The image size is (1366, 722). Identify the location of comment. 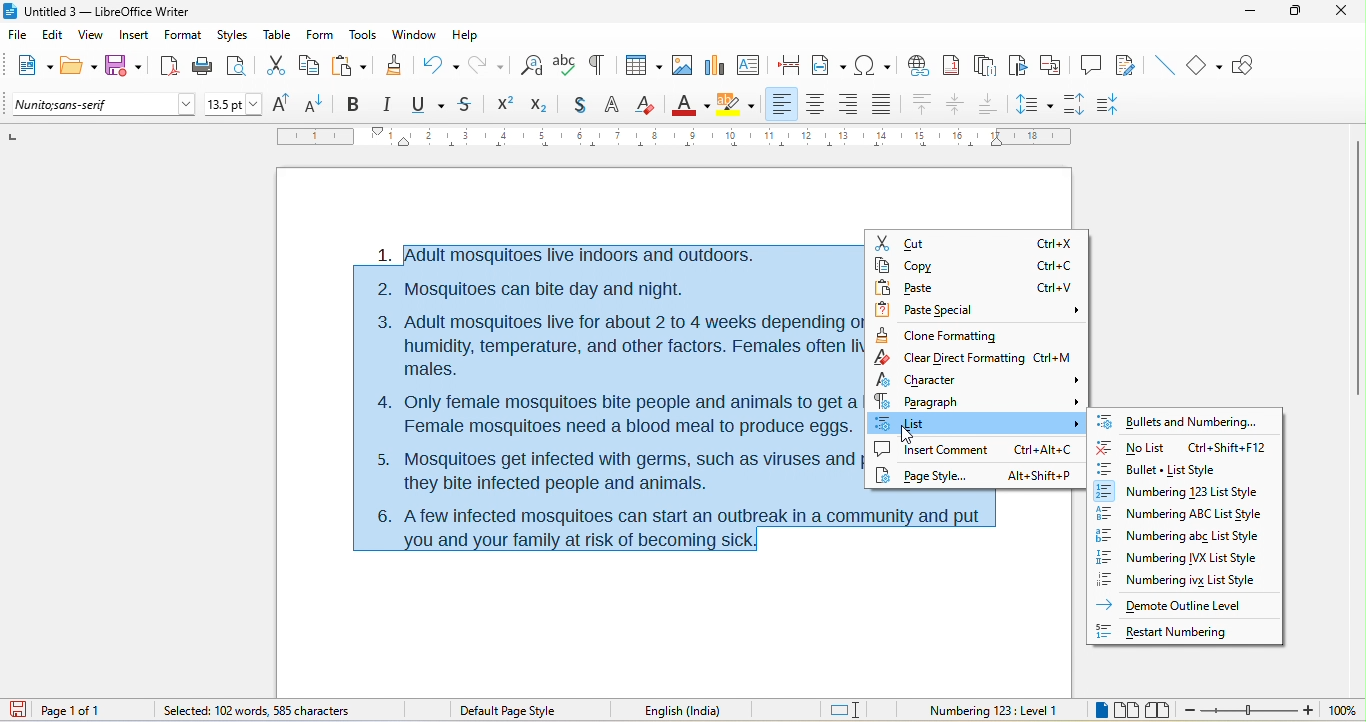
(1092, 66).